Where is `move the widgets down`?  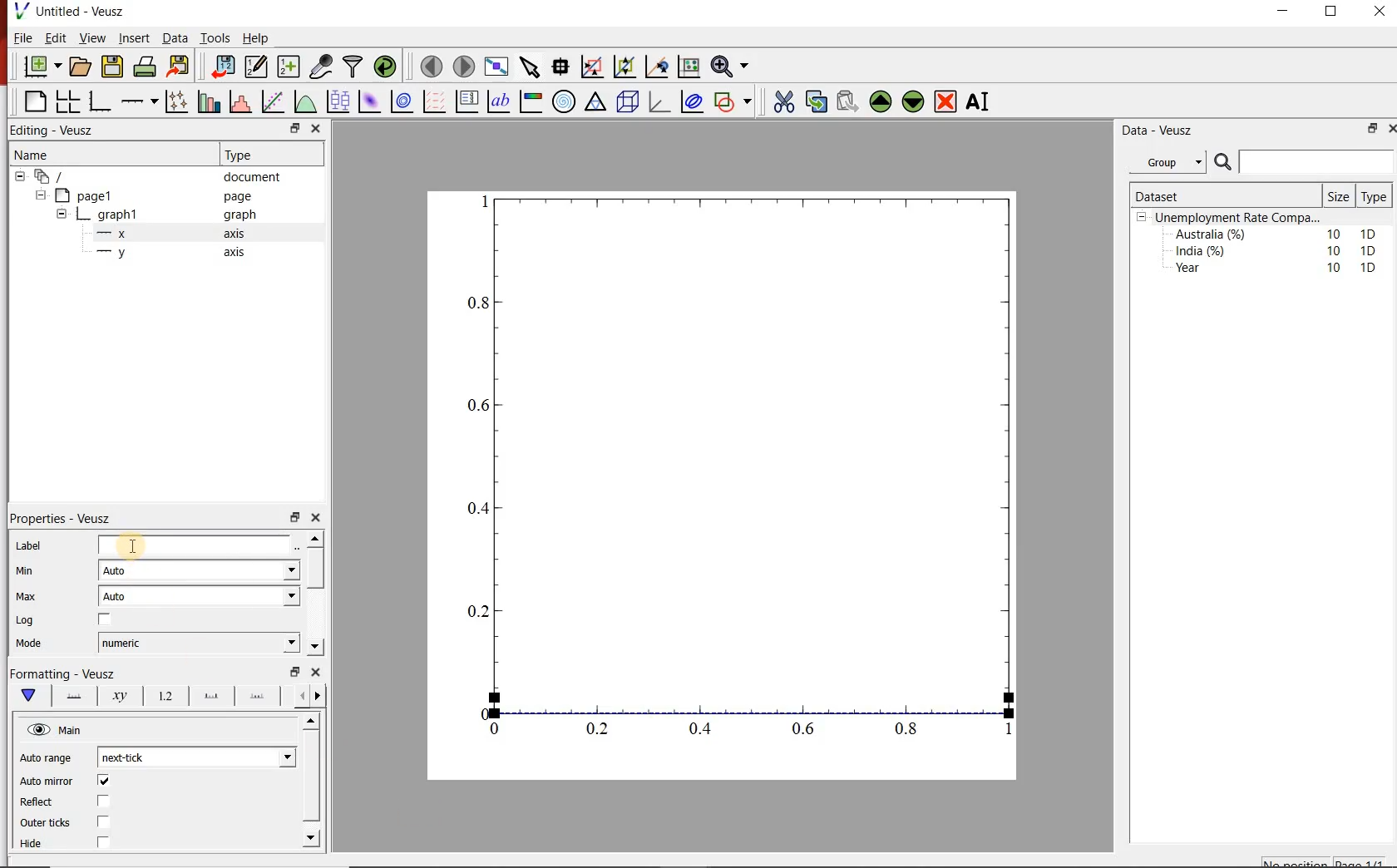 move the widgets down is located at coordinates (911, 101).